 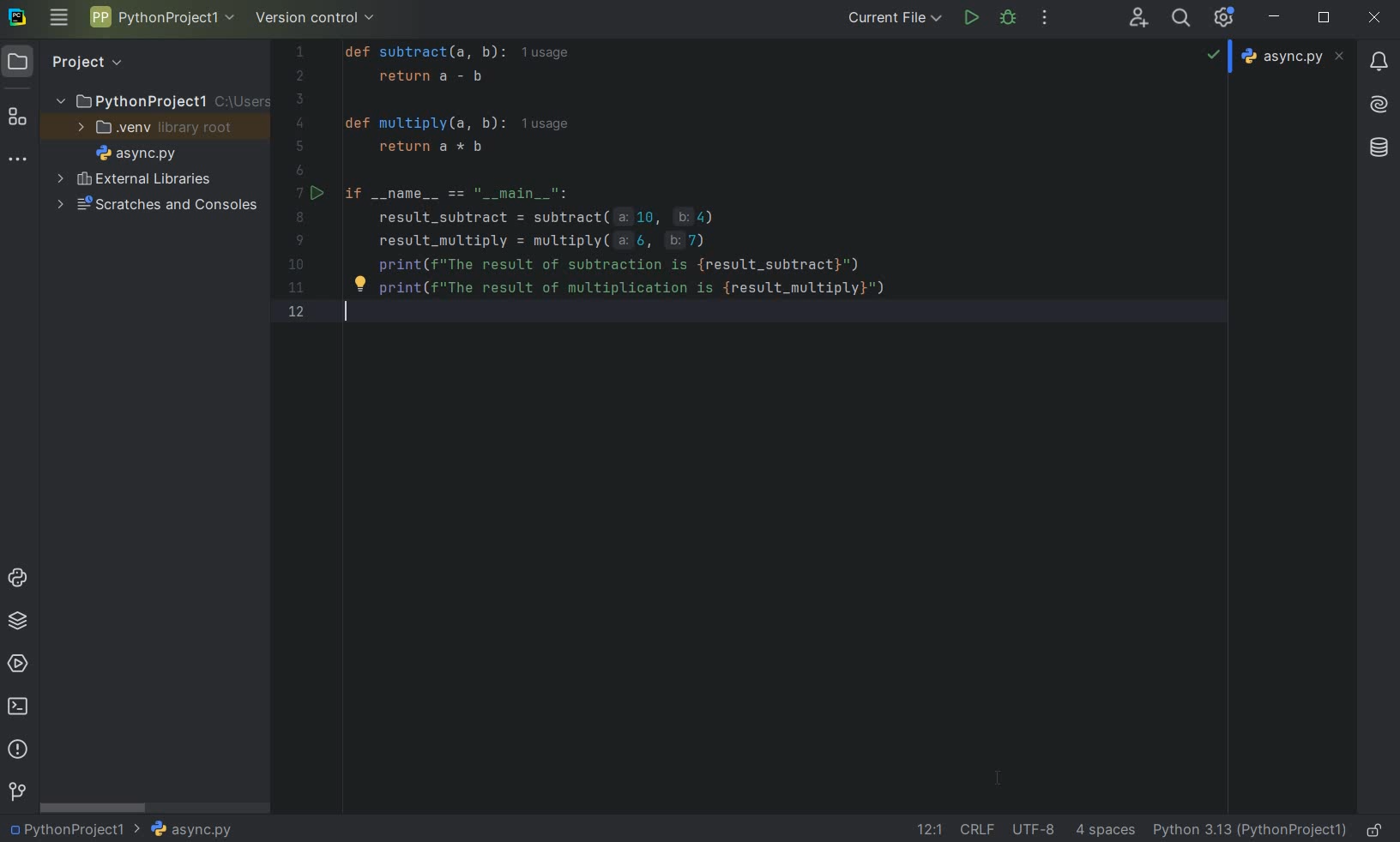 I want to click on close, so click(x=1374, y=18).